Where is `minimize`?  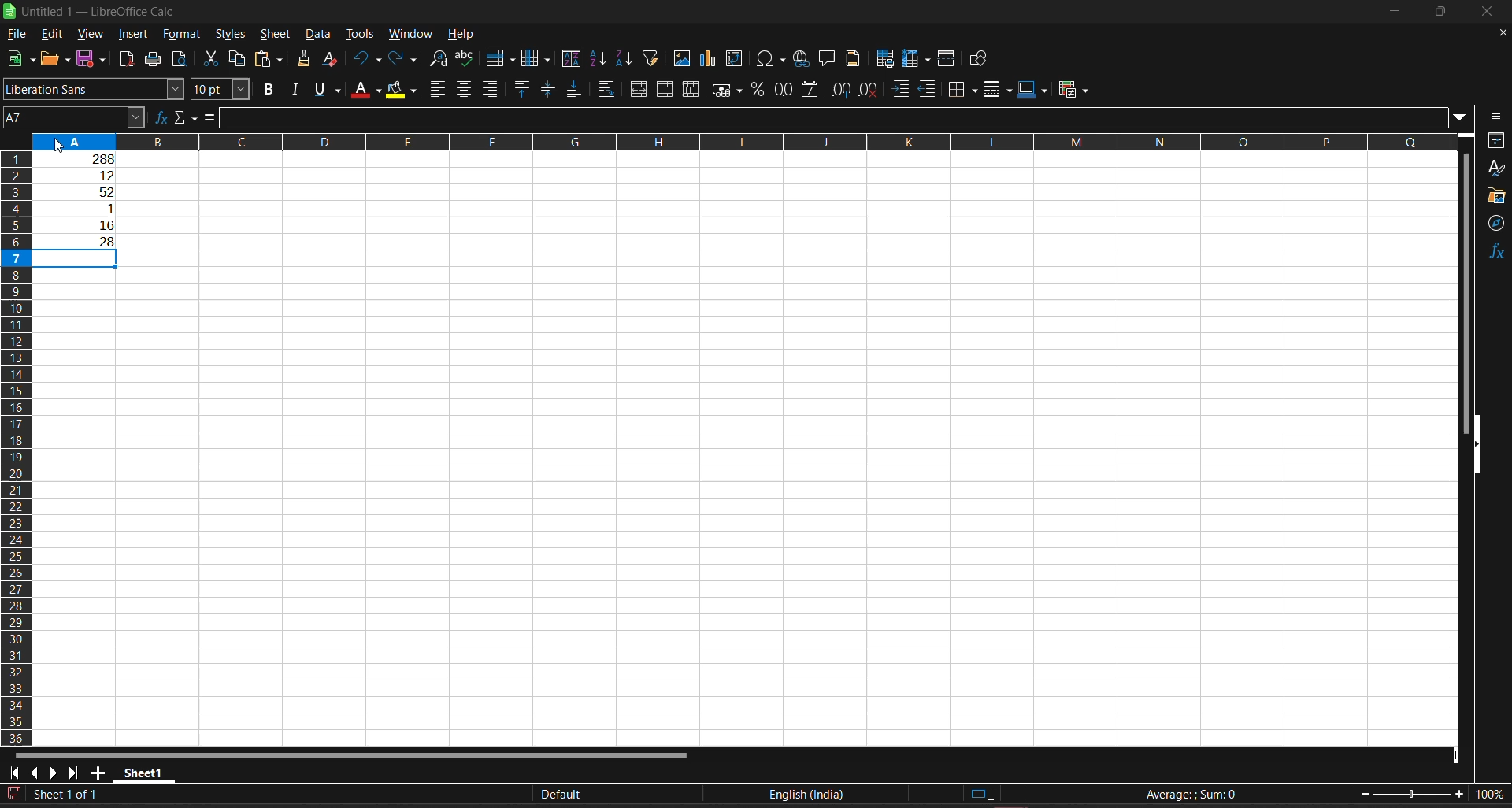
minimize is located at coordinates (1398, 10).